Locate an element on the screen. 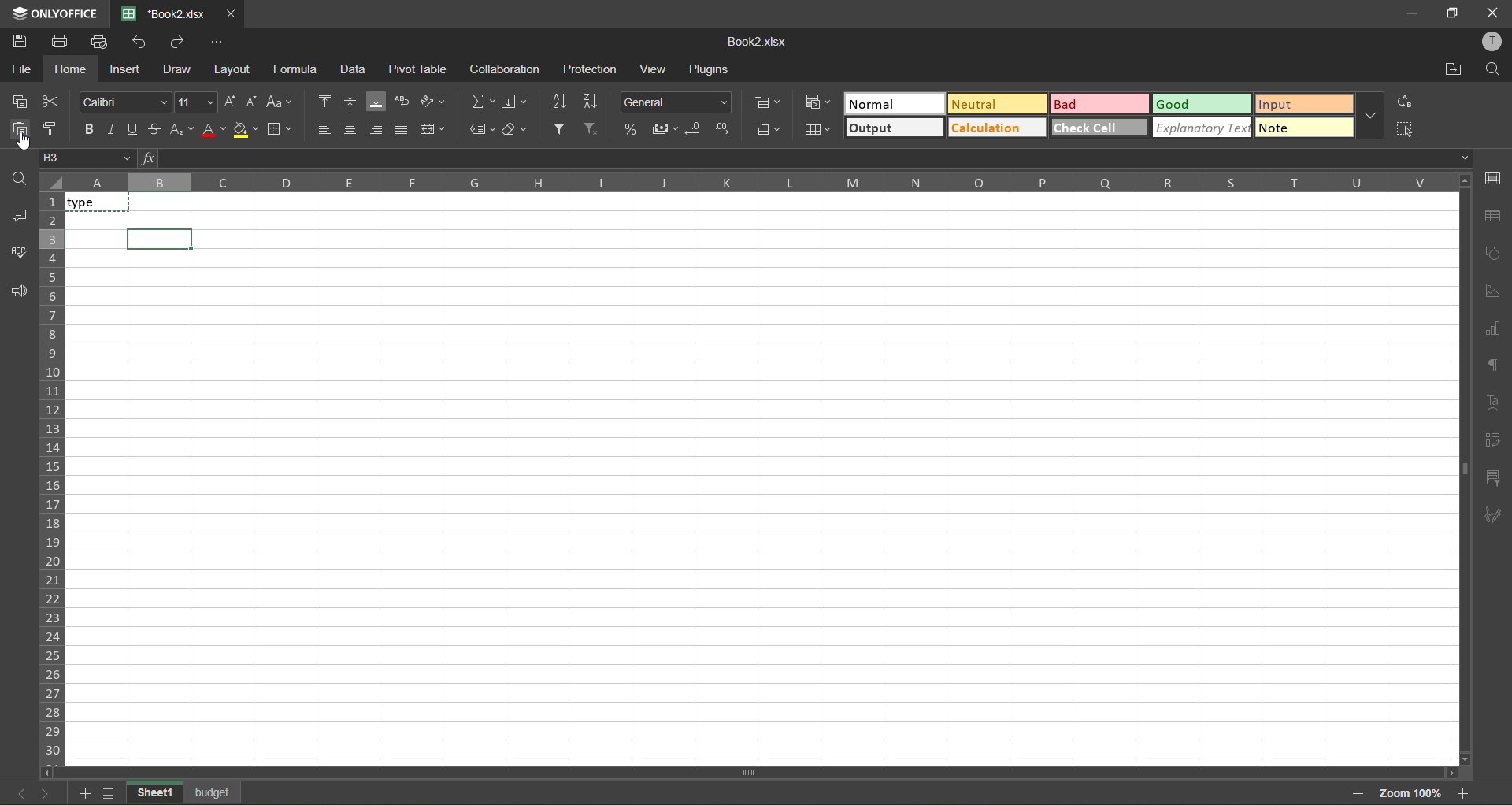 This screenshot has width=1512, height=805. insert is located at coordinates (127, 72).